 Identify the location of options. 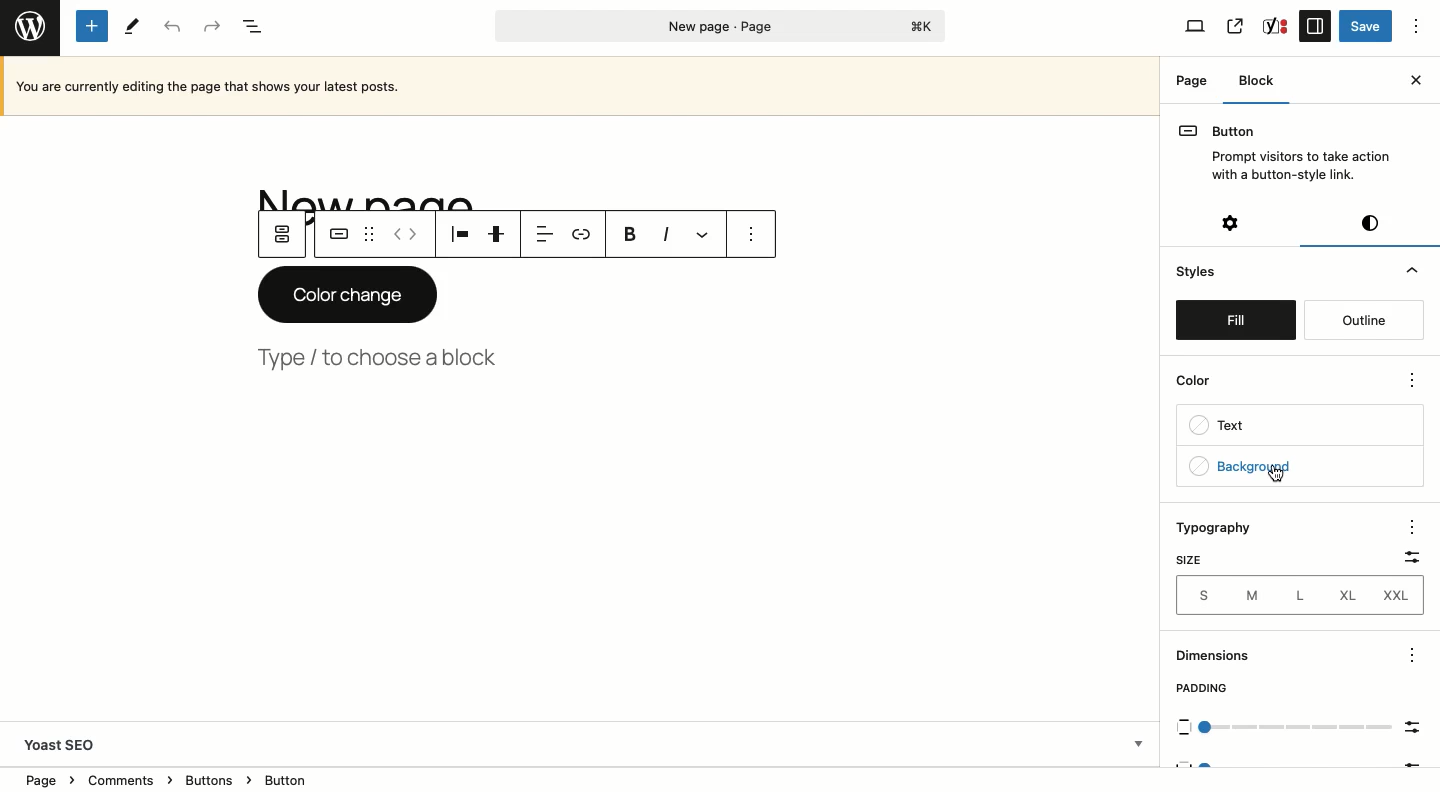
(1413, 656).